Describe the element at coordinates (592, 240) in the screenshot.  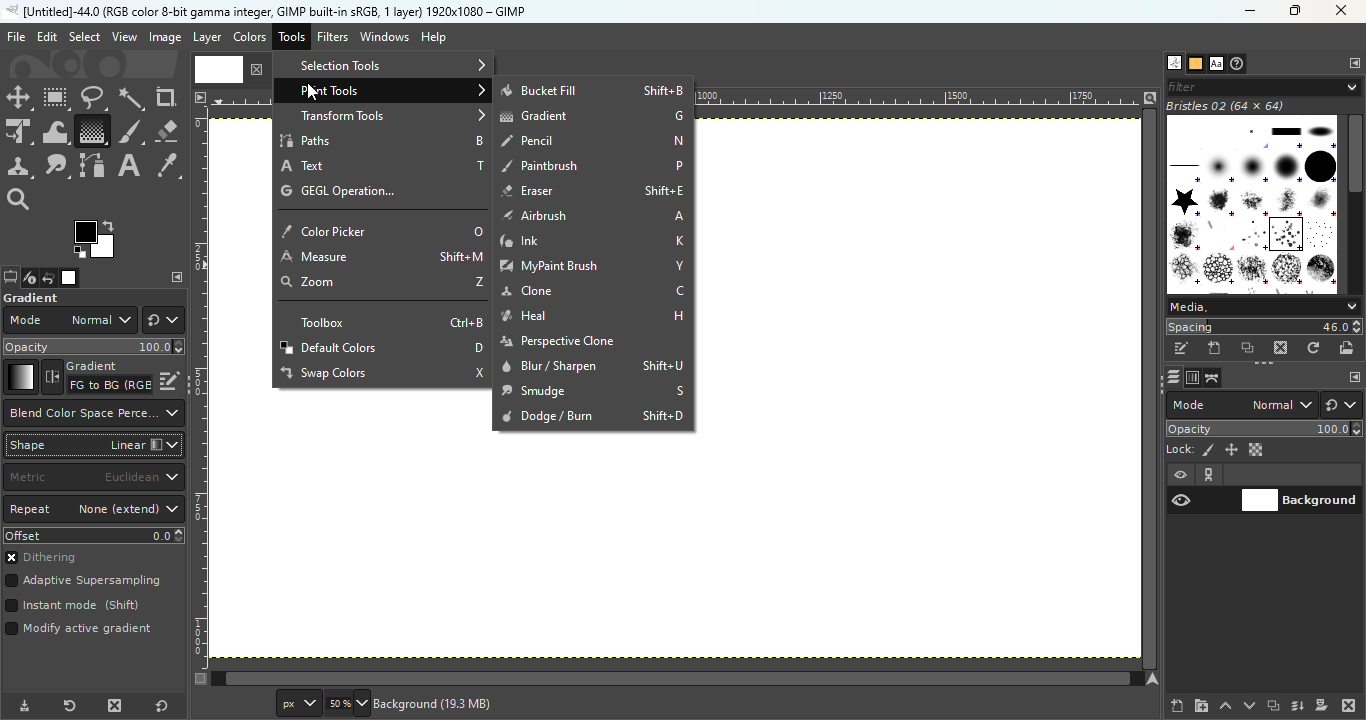
I see `Ink` at that location.